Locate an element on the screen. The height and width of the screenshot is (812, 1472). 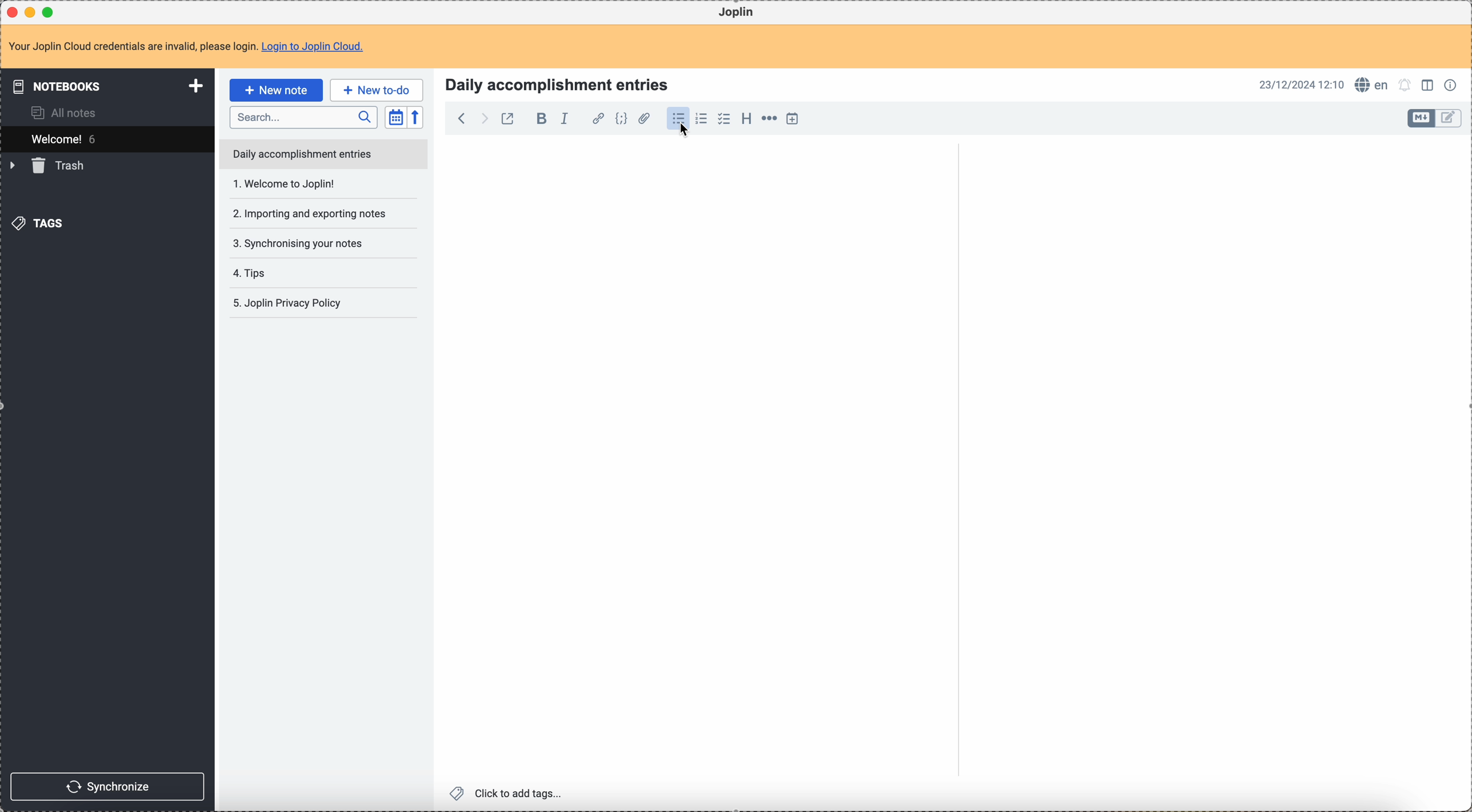
5. Joplin privacy policy is located at coordinates (289, 304).